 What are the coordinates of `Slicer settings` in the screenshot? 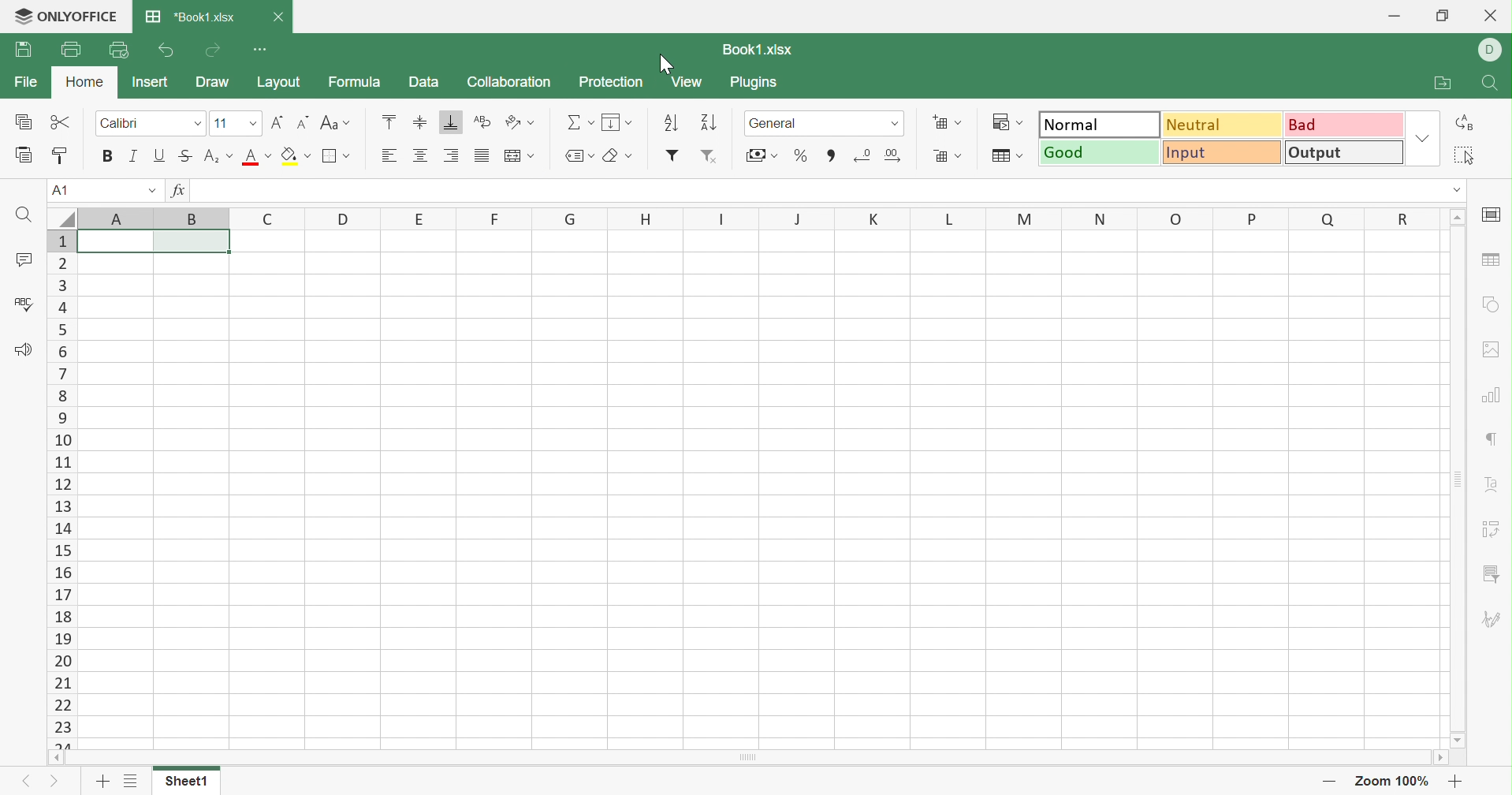 It's located at (1491, 575).